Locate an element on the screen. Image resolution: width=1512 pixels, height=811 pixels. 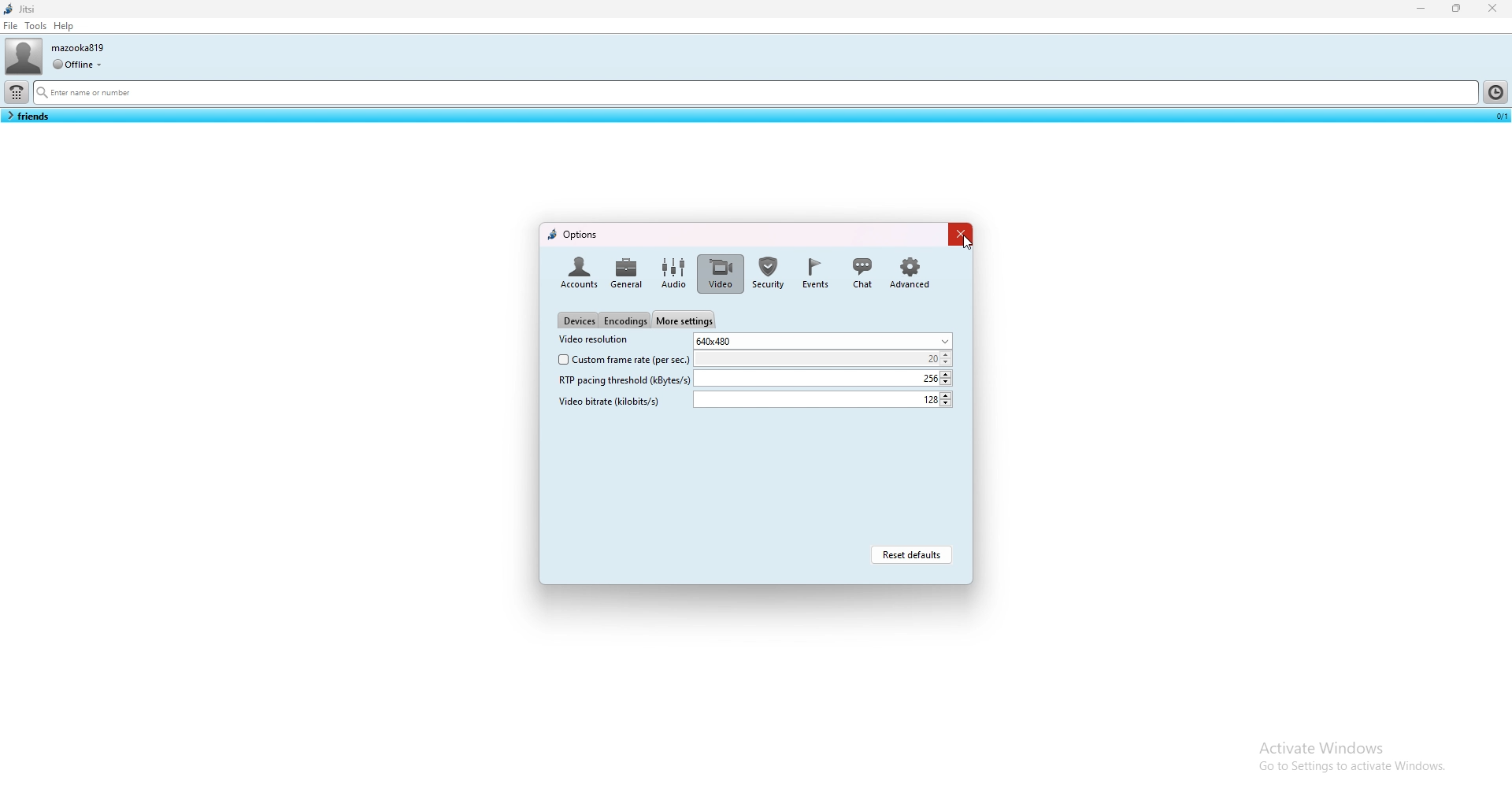
file is located at coordinates (11, 25).